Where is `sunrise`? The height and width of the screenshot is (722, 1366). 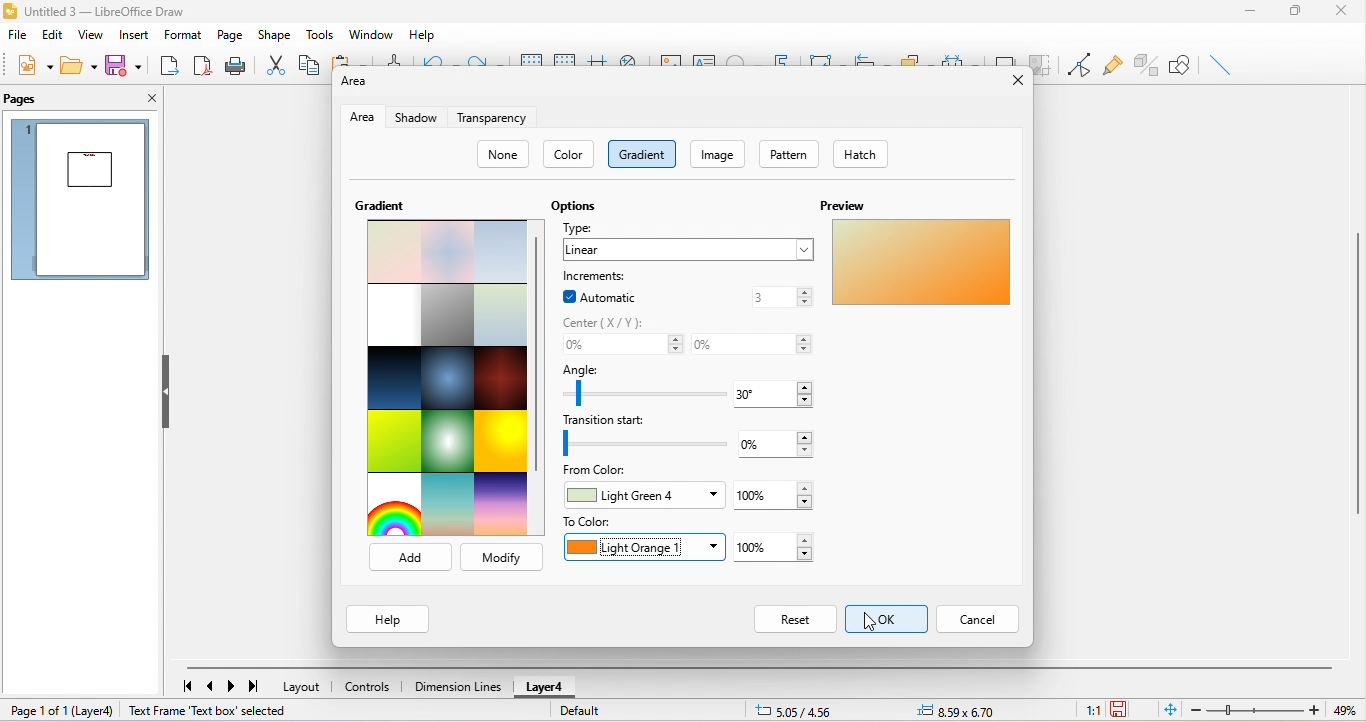 sunrise is located at coordinates (449, 505).